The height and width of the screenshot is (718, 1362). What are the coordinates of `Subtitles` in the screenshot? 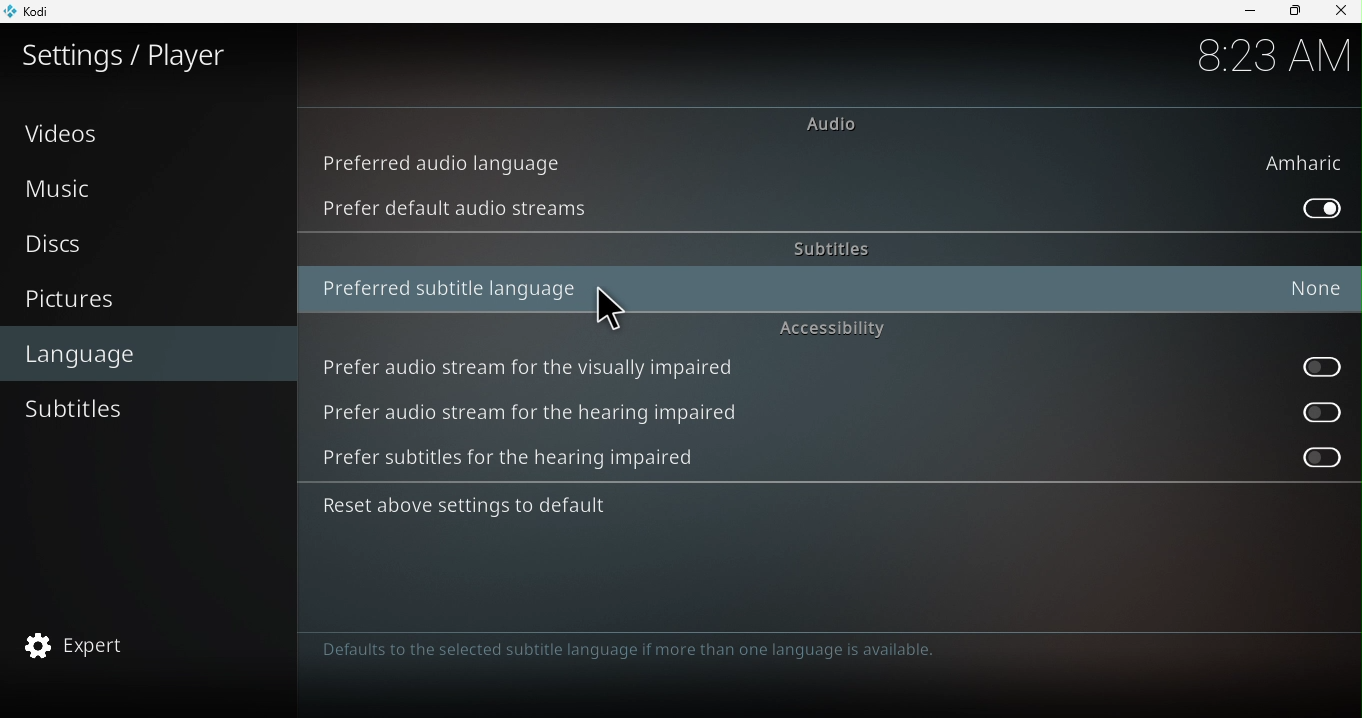 It's located at (826, 245).